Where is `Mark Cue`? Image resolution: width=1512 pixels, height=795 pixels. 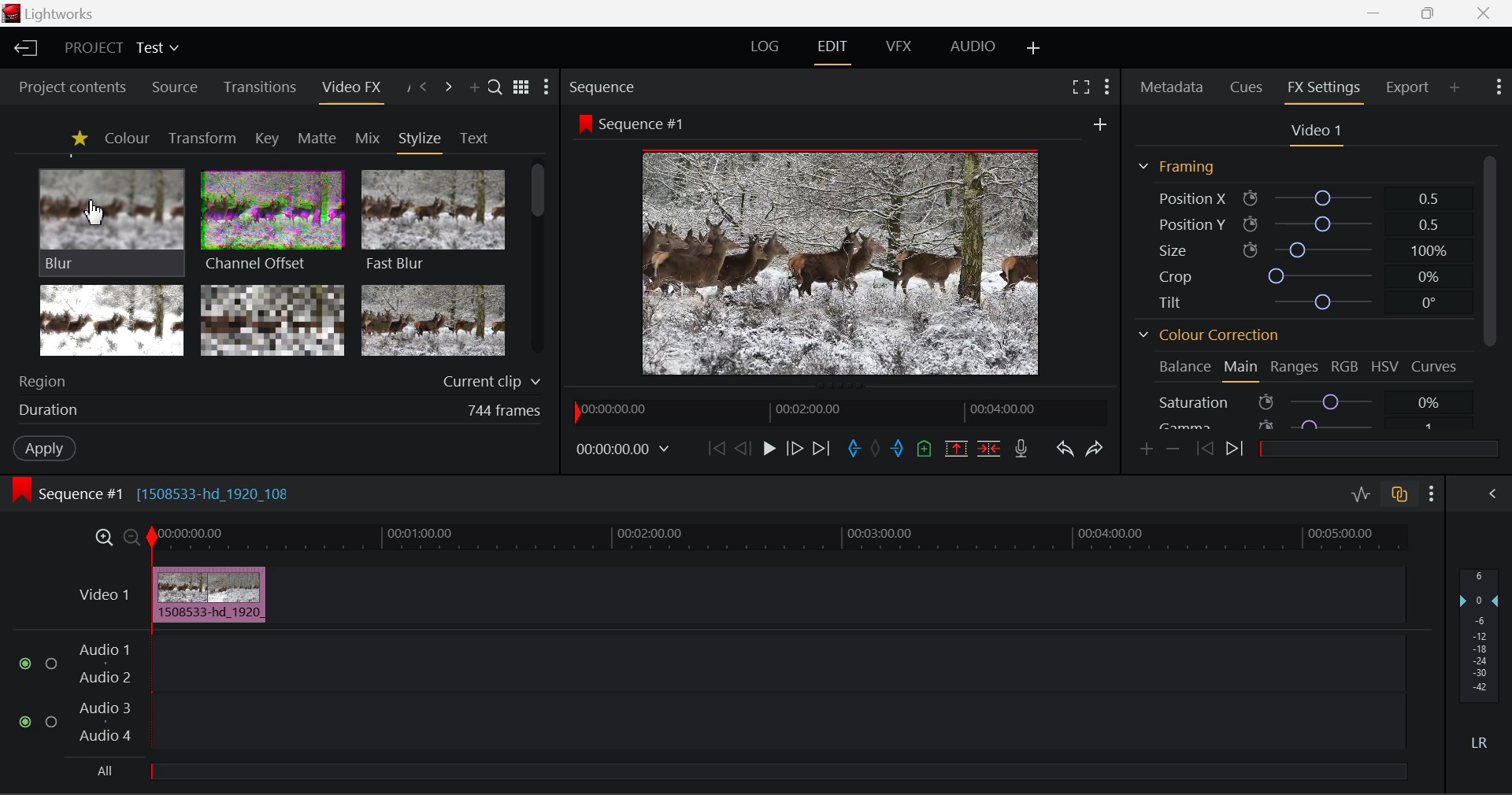 Mark Cue is located at coordinates (925, 448).